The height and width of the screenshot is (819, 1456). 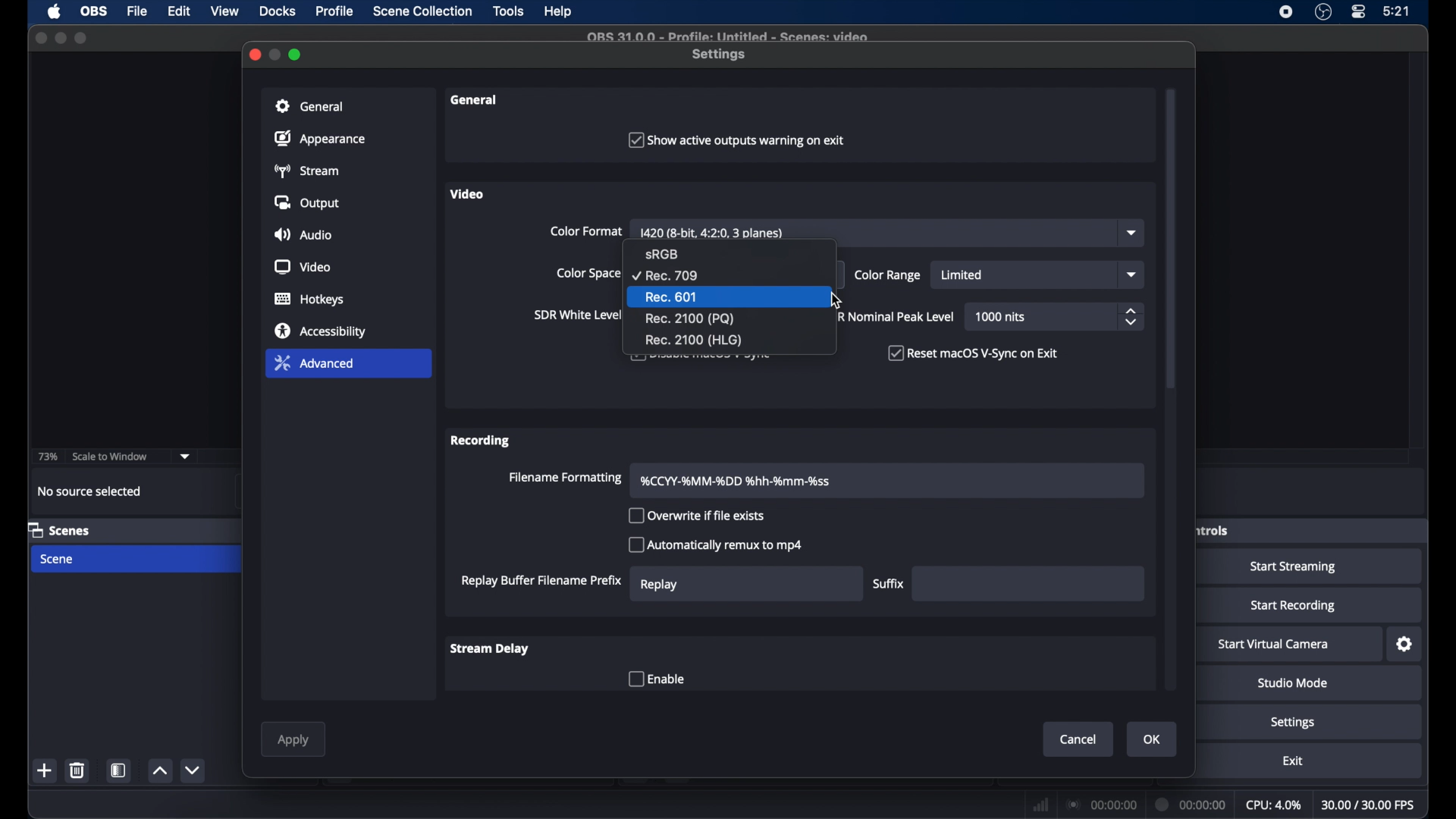 I want to click on scene collection, so click(x=422, y=12).